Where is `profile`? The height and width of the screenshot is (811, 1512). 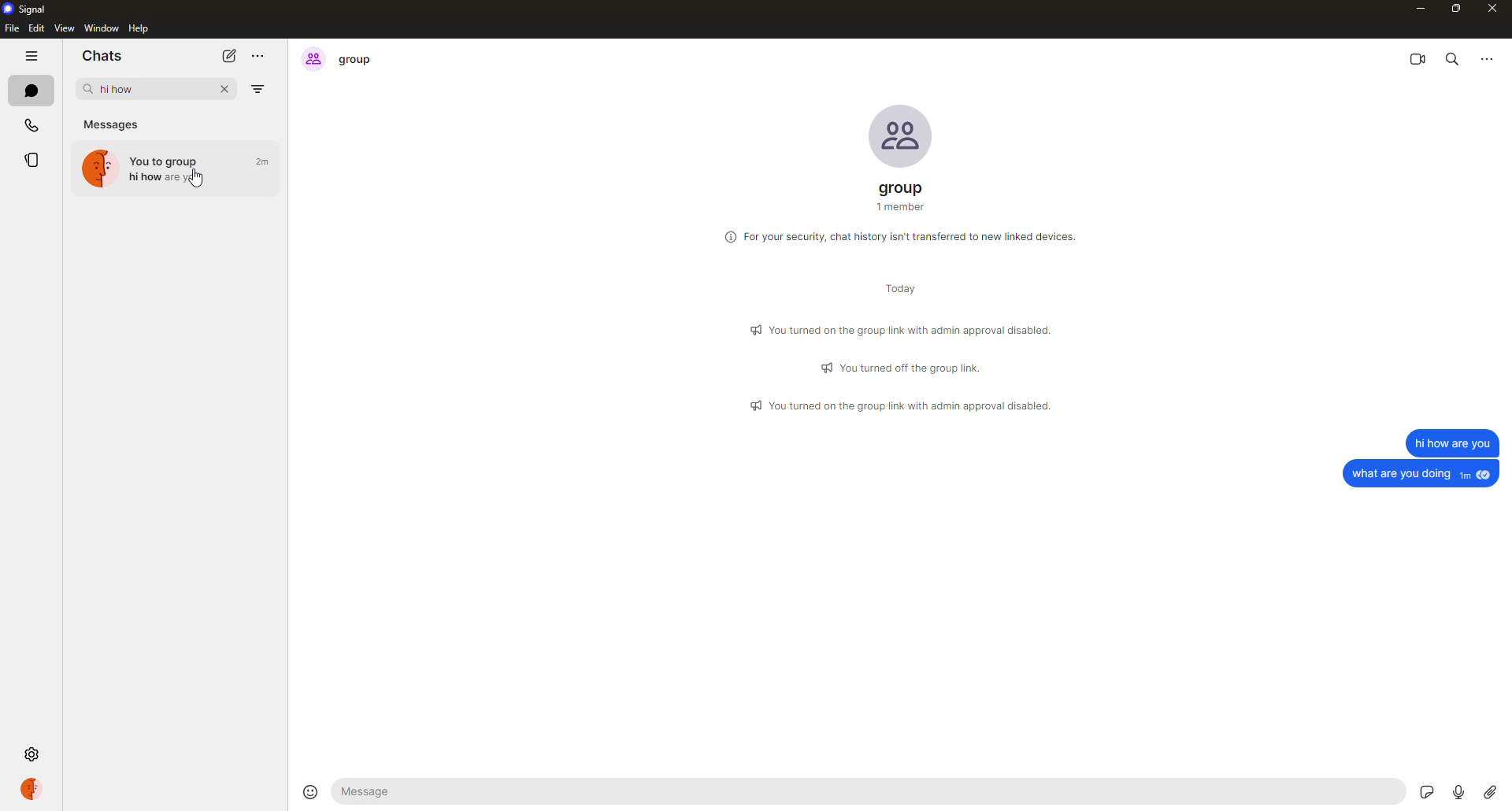 profile is located at coordinates (31, 788).